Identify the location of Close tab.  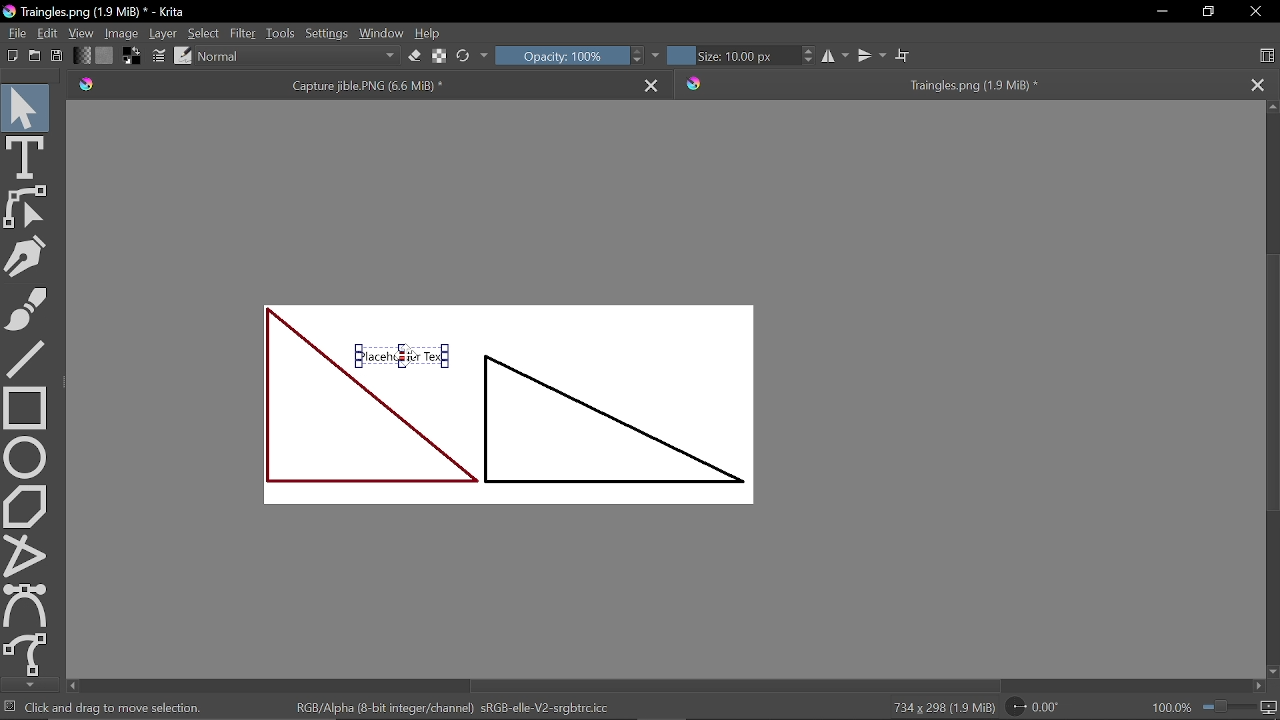
(1263, 83).